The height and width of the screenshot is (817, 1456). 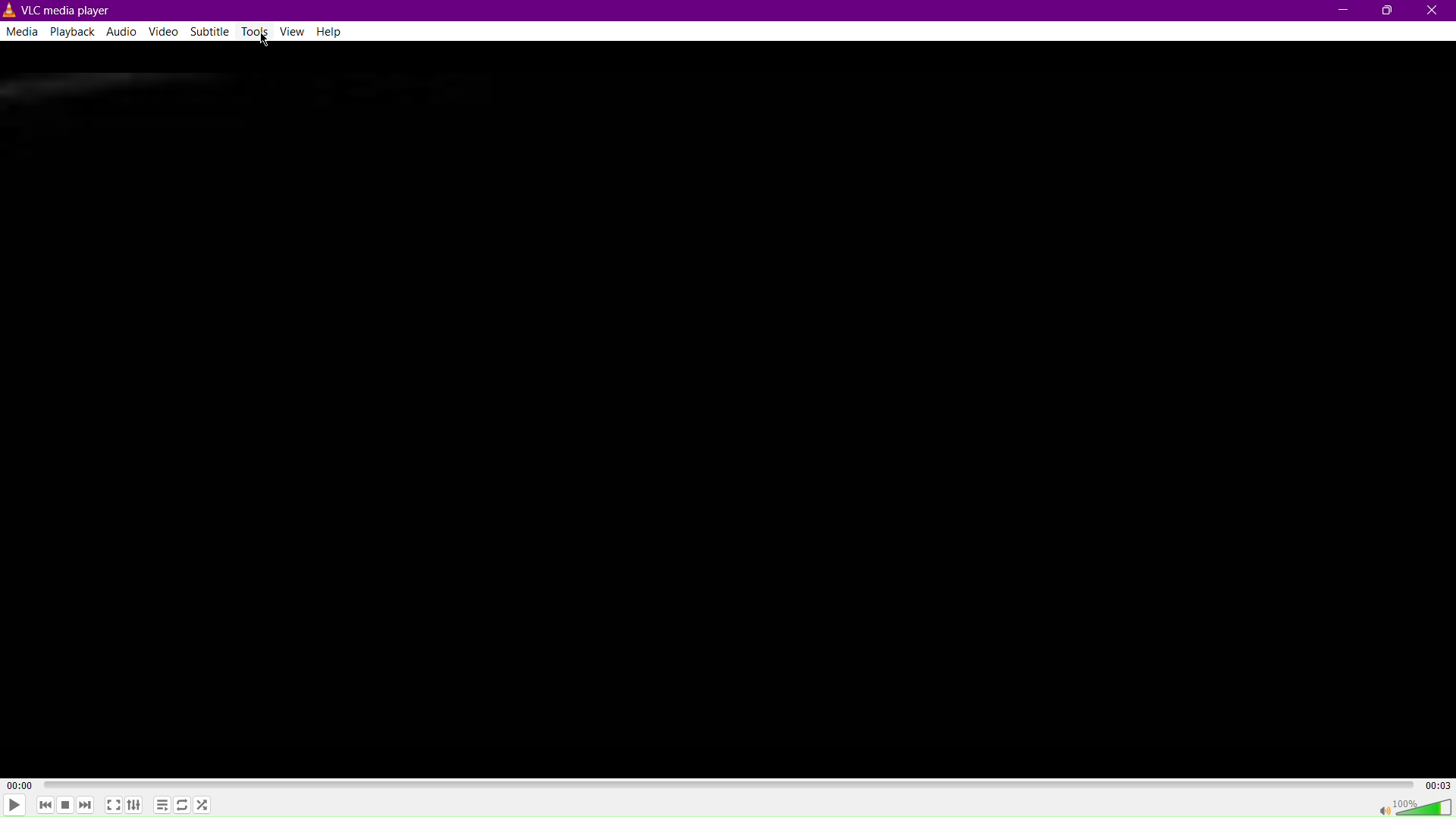 I want to click on Minimize, so click(x=1339, y=11).